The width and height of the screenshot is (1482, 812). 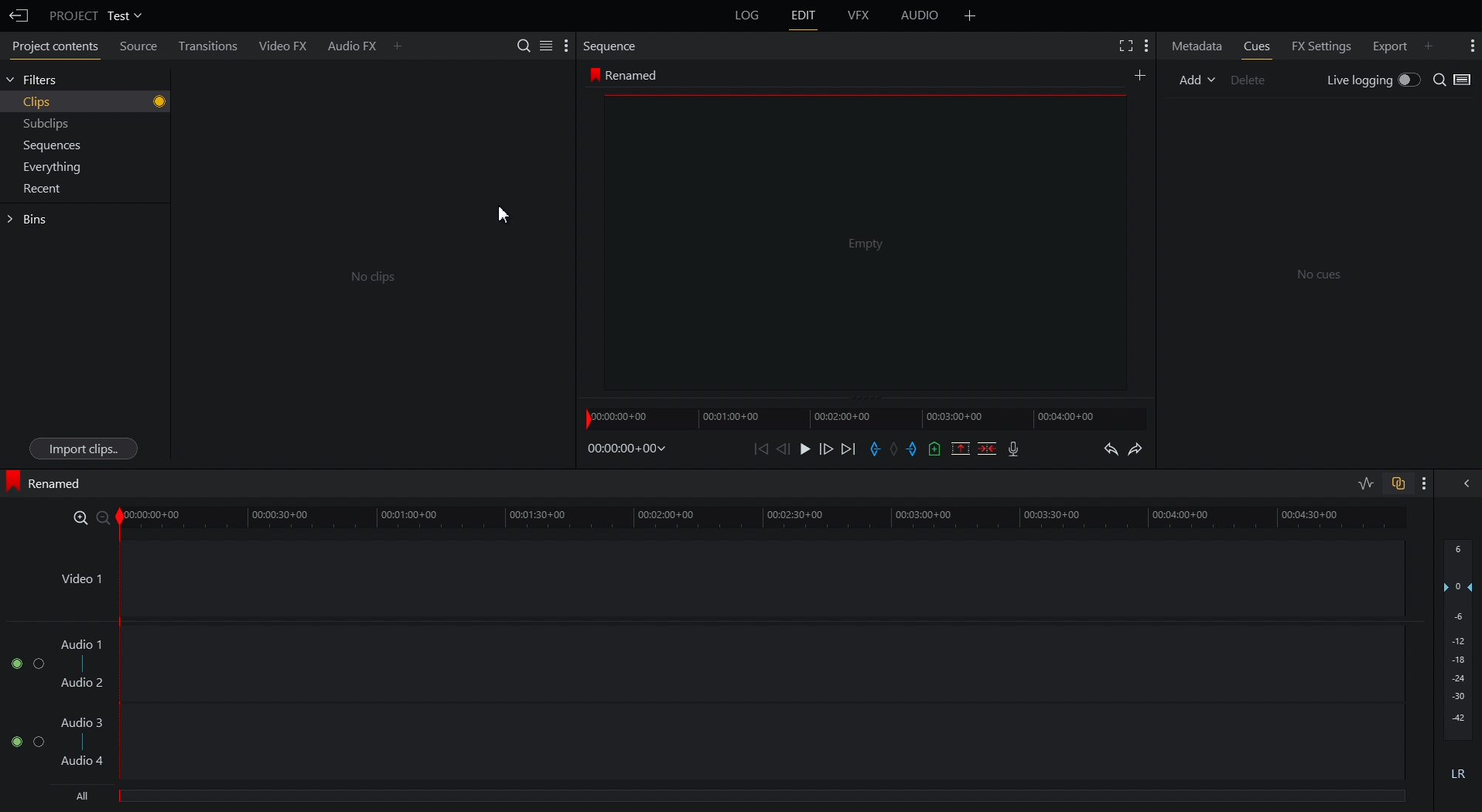 What do you see at coordinates (1195, 46) in the screenshot?
I see `Metadata` at bounding box center [1195, 46].